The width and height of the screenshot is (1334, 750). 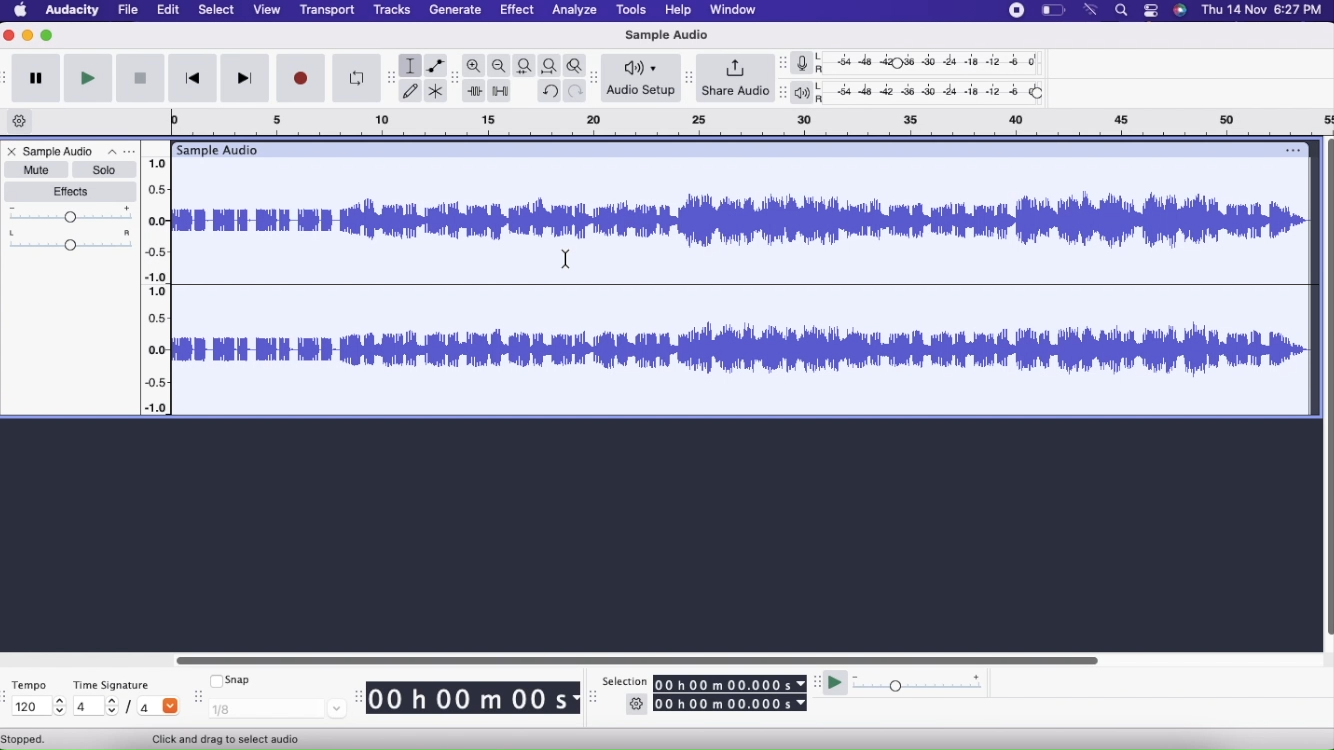 What do you see at coordinates (924, 684) in the screenshot?
I see `Playback speed` at bounding box center [924, 684].